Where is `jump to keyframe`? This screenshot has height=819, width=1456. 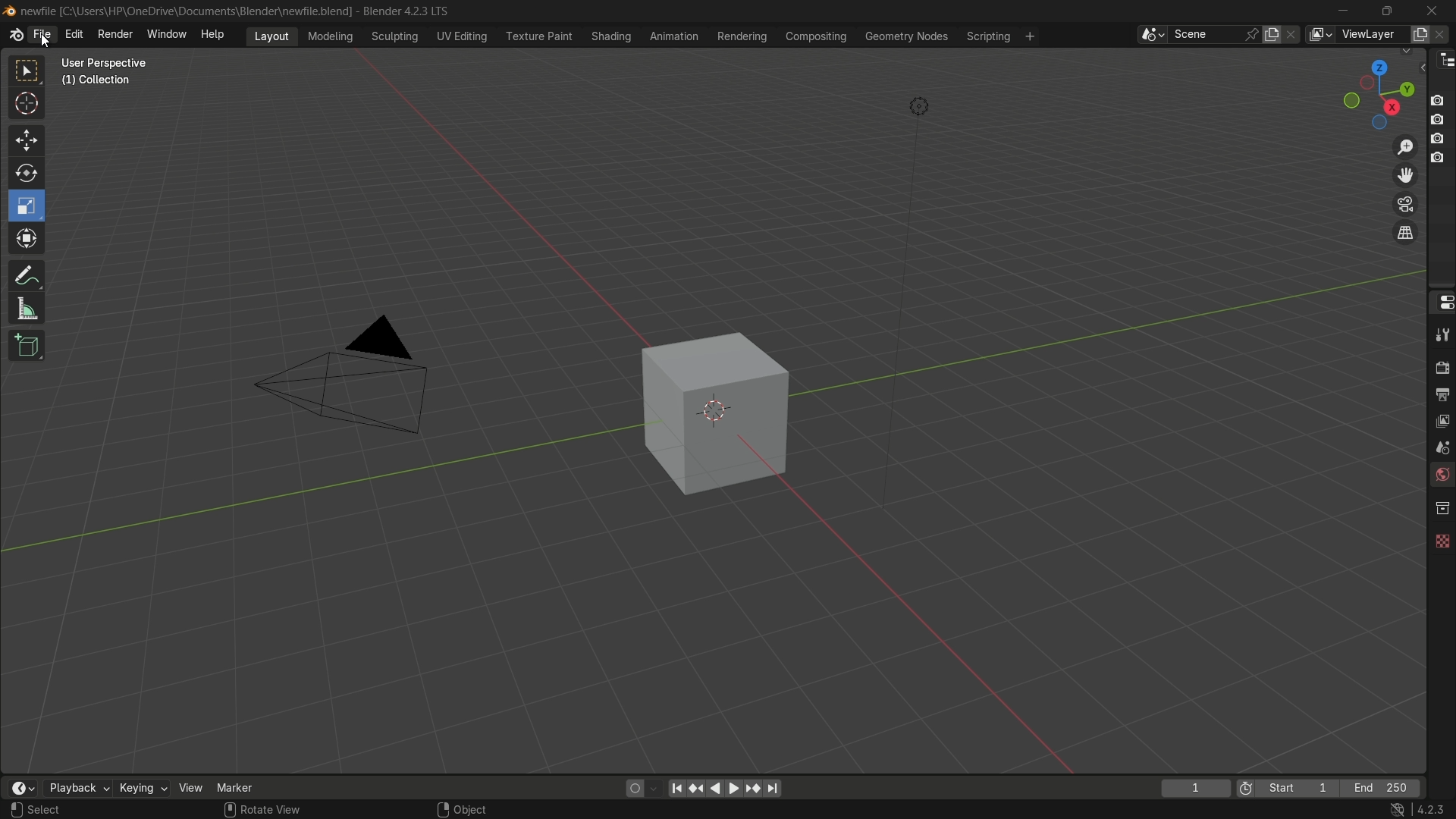
jump to keyframe is located at coordinates (697, 786).